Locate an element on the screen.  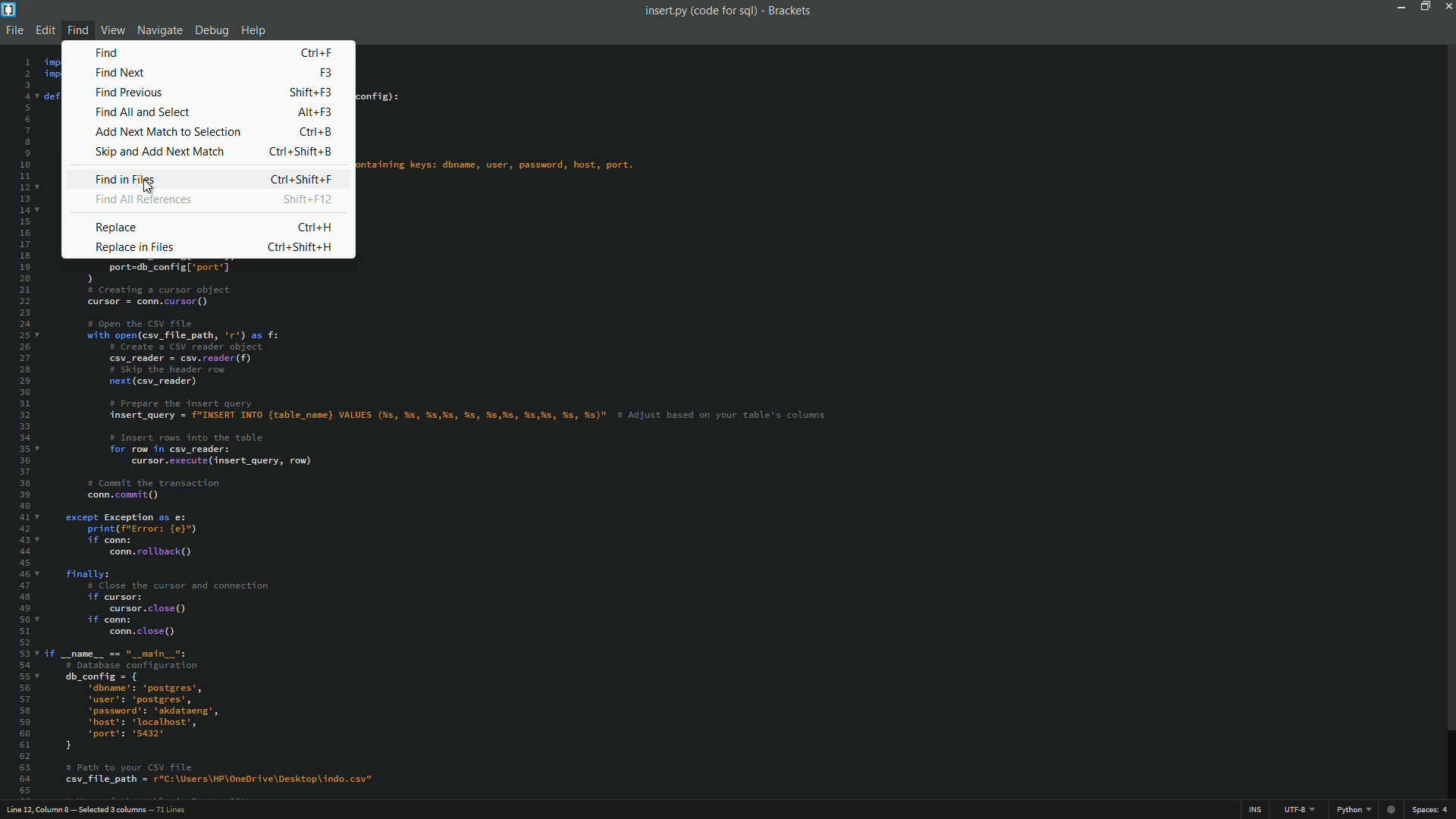
keyboard shortcut is located at coordinates (325, 74).